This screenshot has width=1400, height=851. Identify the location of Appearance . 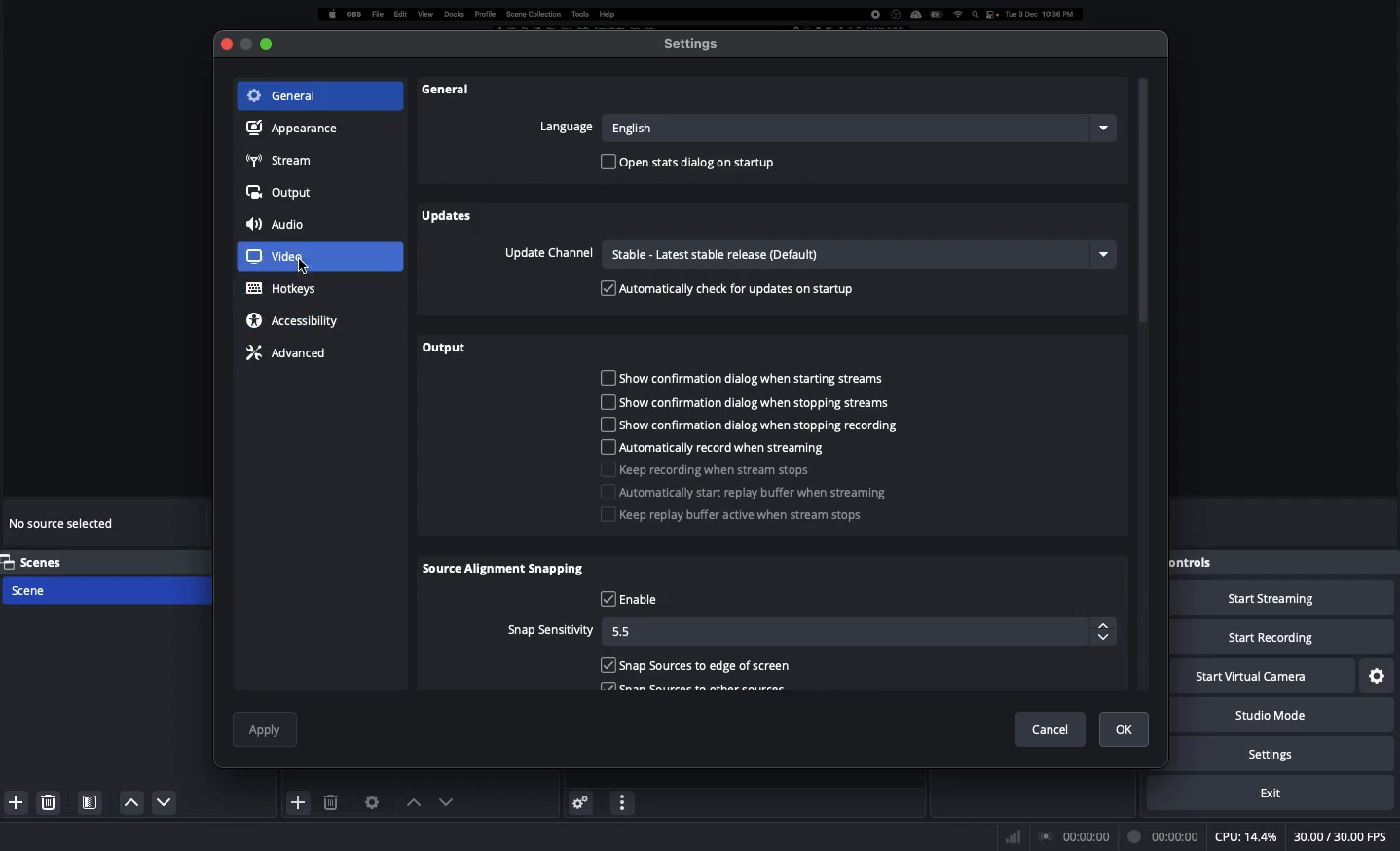
(289, 129).